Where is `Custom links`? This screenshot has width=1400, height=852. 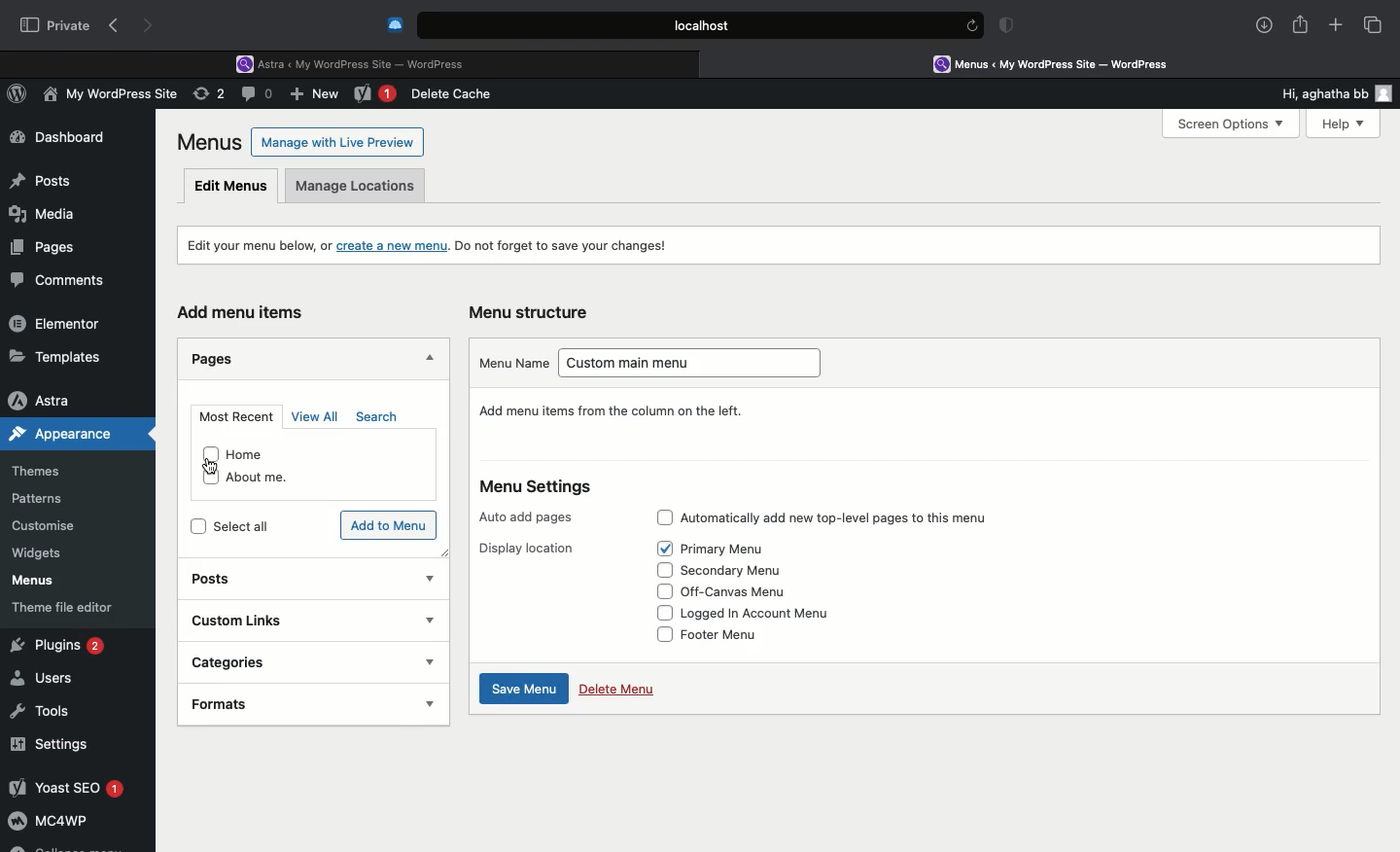 Custom links is located at coordinates (279, 621).